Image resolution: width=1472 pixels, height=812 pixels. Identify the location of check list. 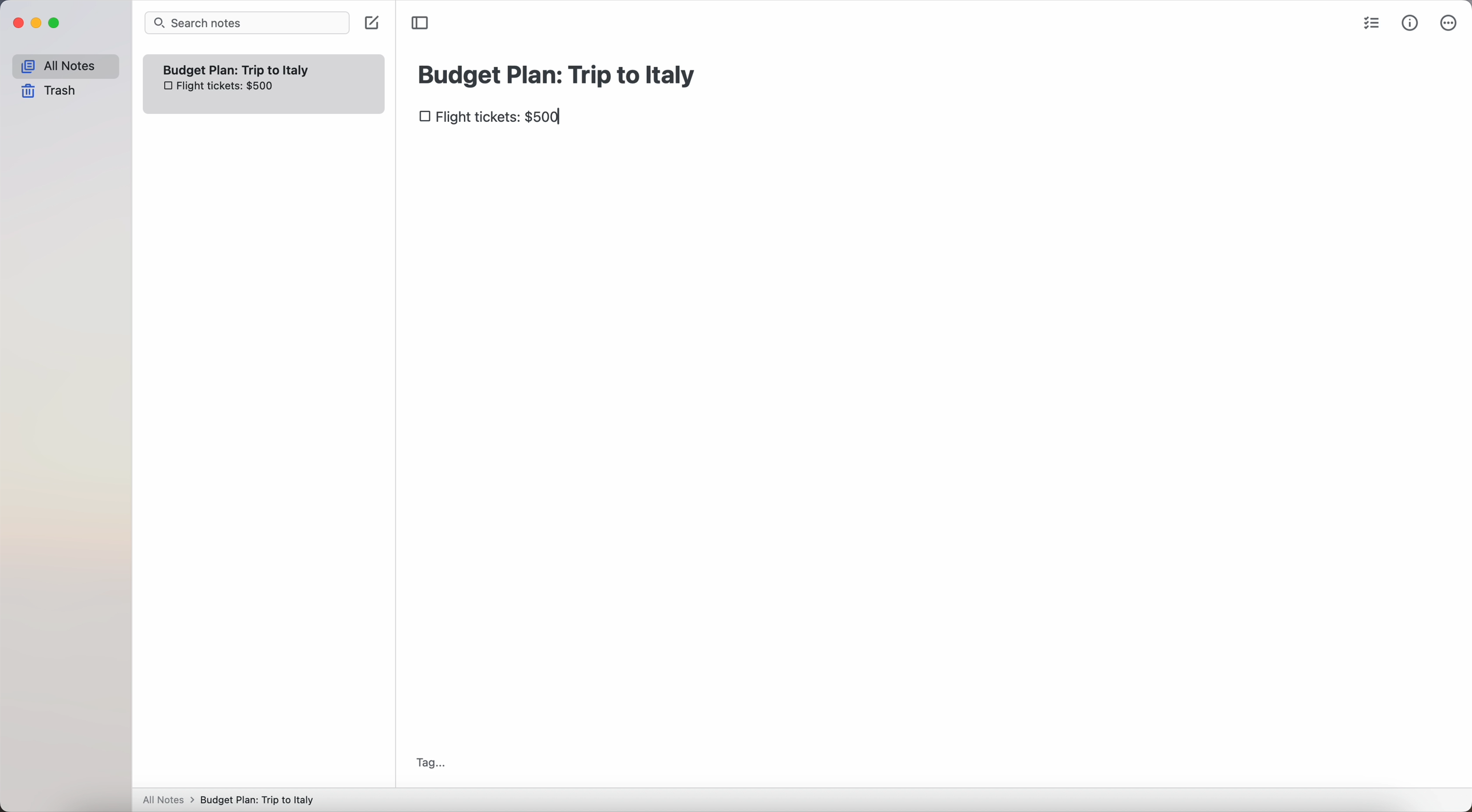
(1375, 25).